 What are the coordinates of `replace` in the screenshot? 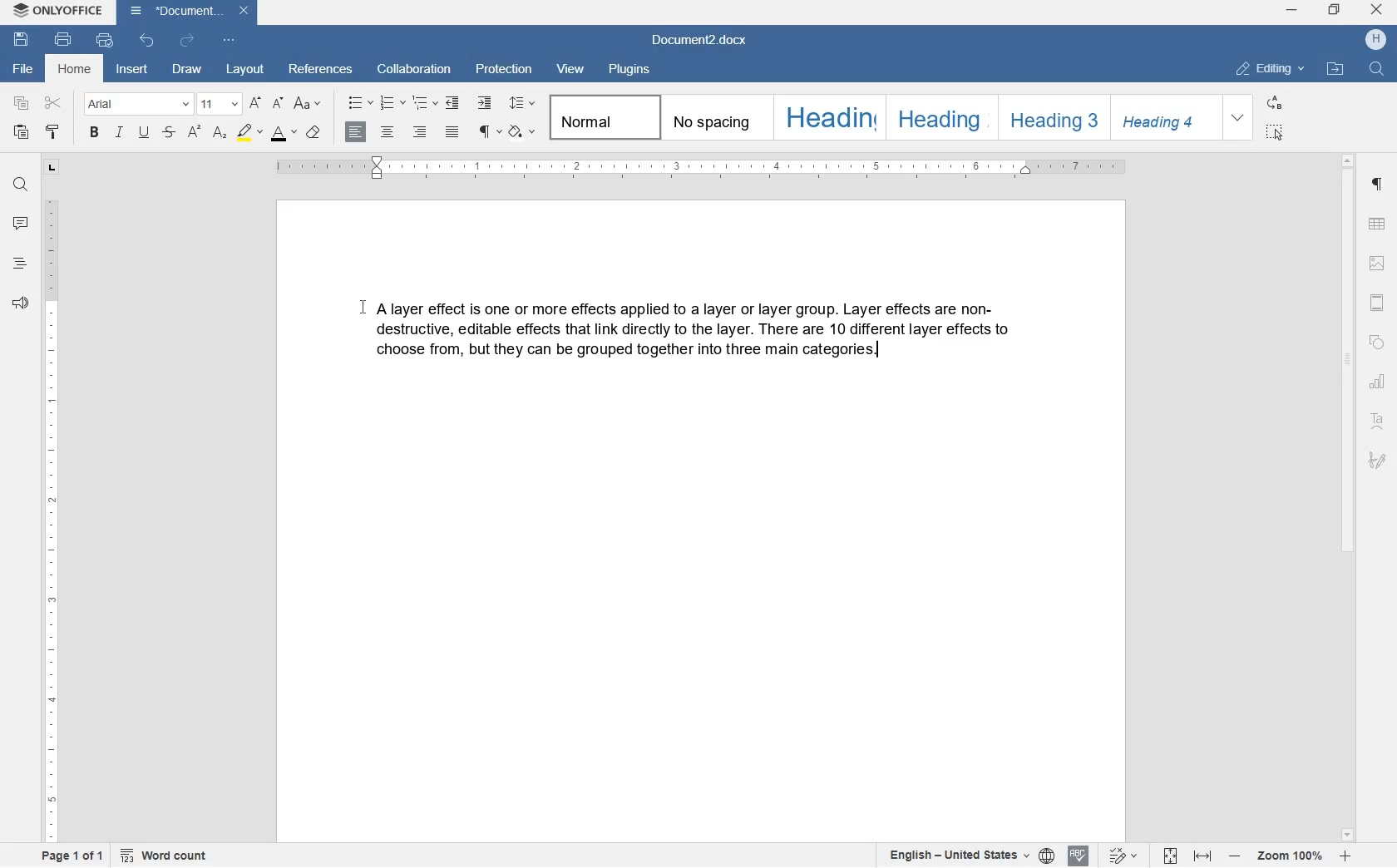 It's located at (1276, 104).